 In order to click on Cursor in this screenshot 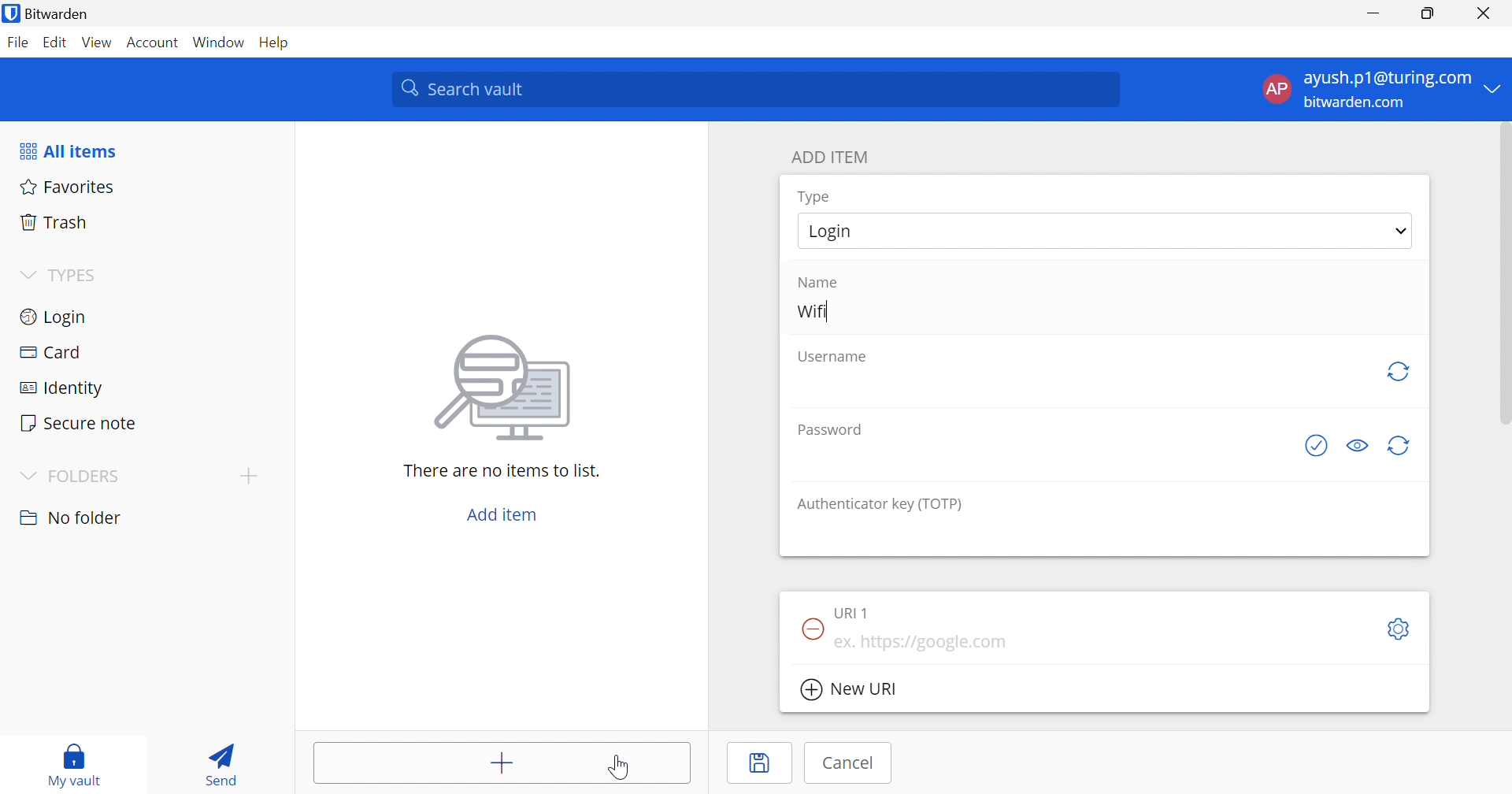, I will do `click(620, 769)`.